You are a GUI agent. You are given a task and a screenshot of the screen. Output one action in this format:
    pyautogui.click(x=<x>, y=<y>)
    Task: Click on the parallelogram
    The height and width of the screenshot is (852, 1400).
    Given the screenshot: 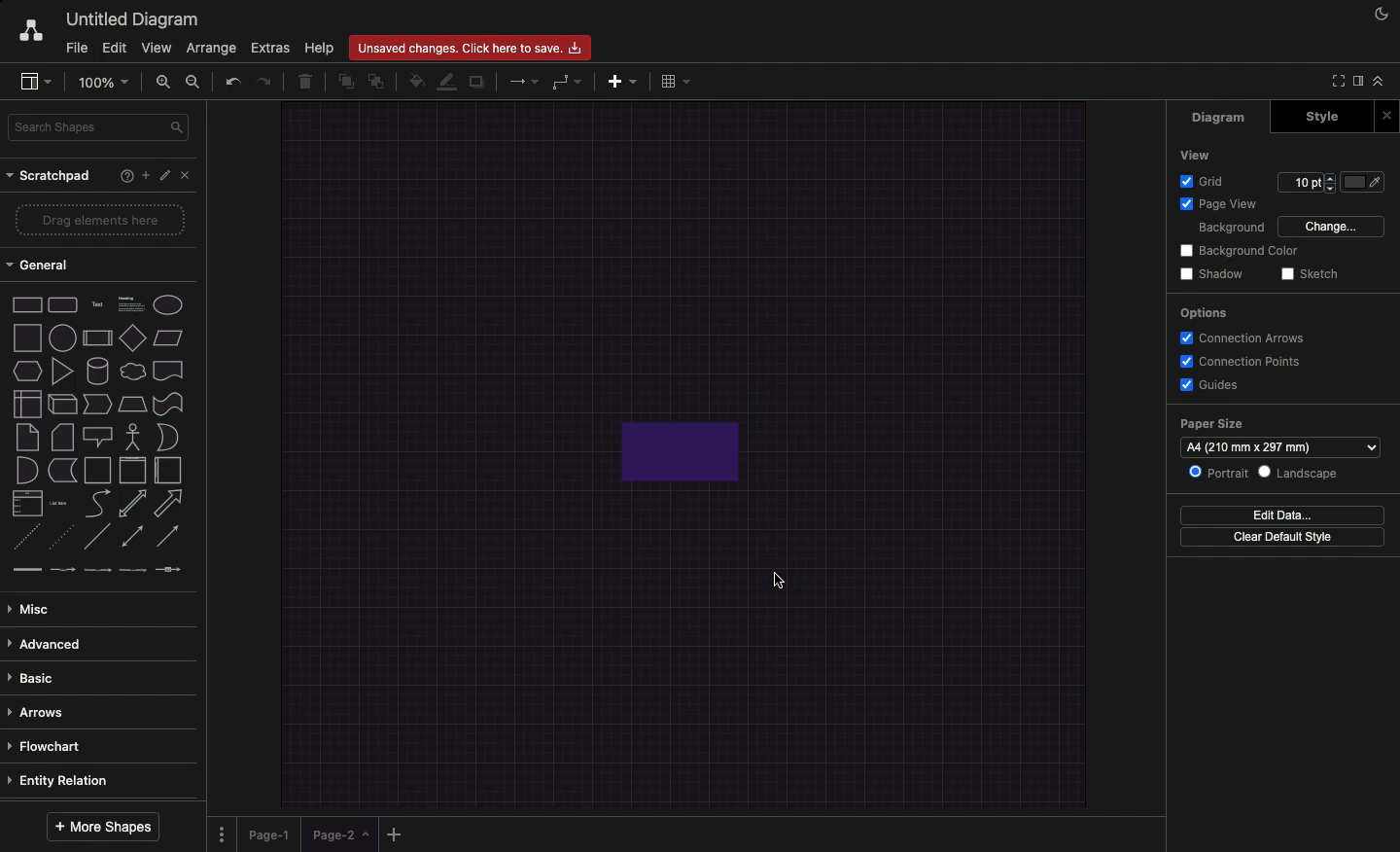 What is the action you would take?
    pyautogui.click(x=170, y=338)
    